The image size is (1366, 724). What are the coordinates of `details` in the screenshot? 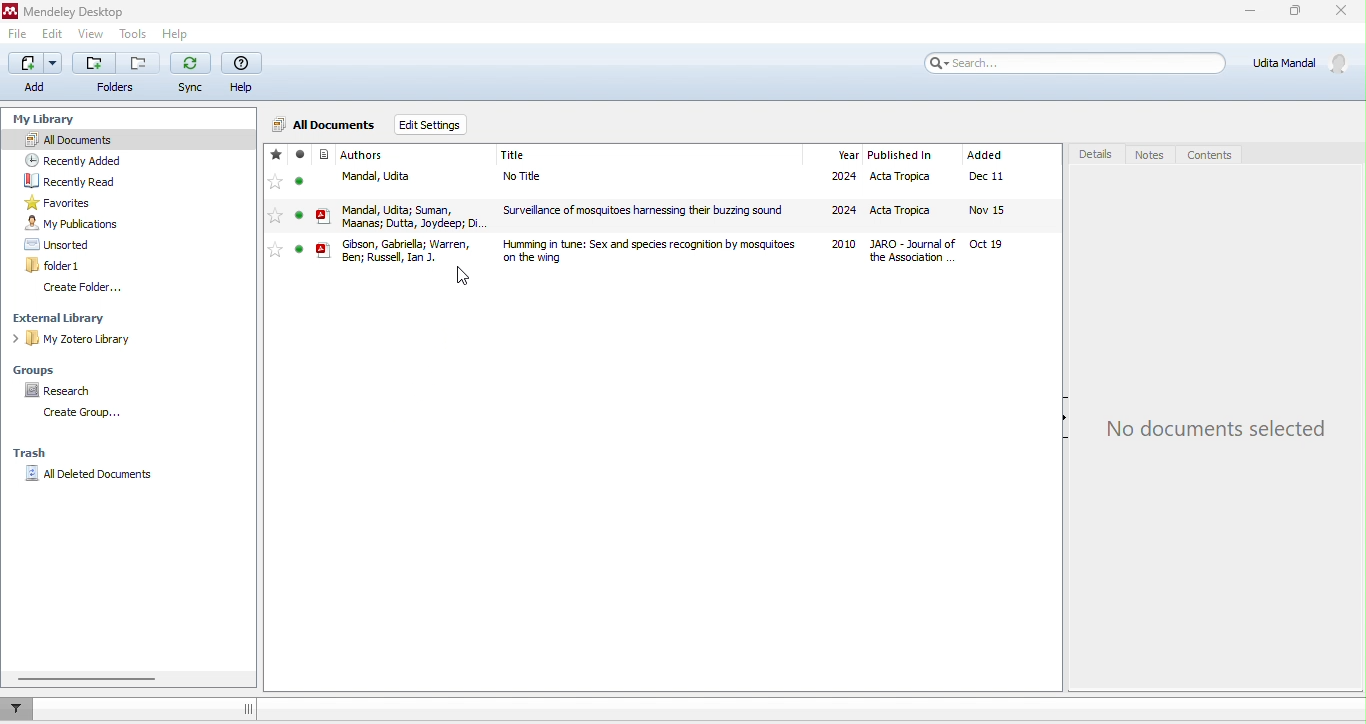 It's located at (1095, 154).